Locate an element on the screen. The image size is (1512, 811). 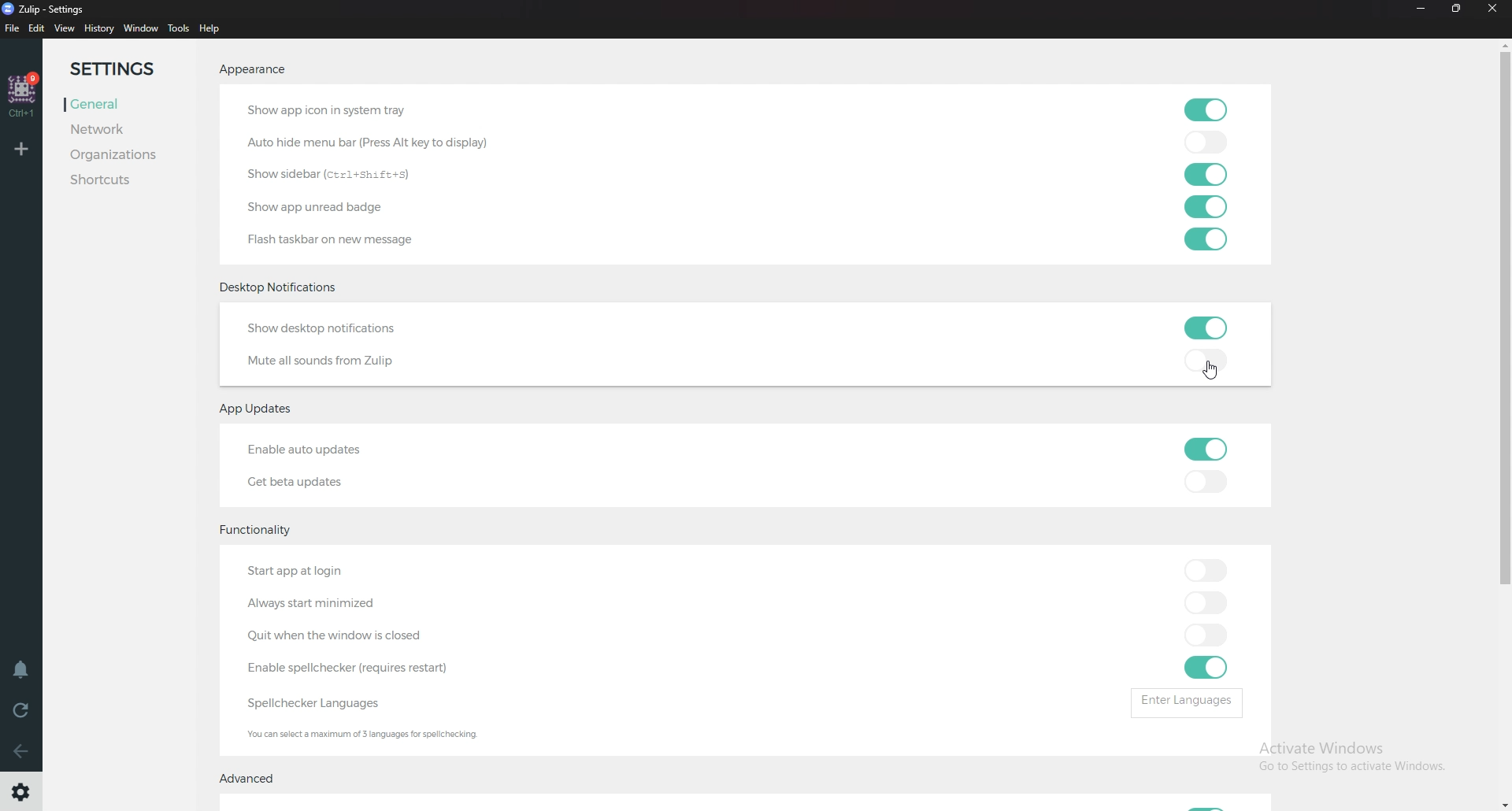
General is located at coordinates (114, 105).